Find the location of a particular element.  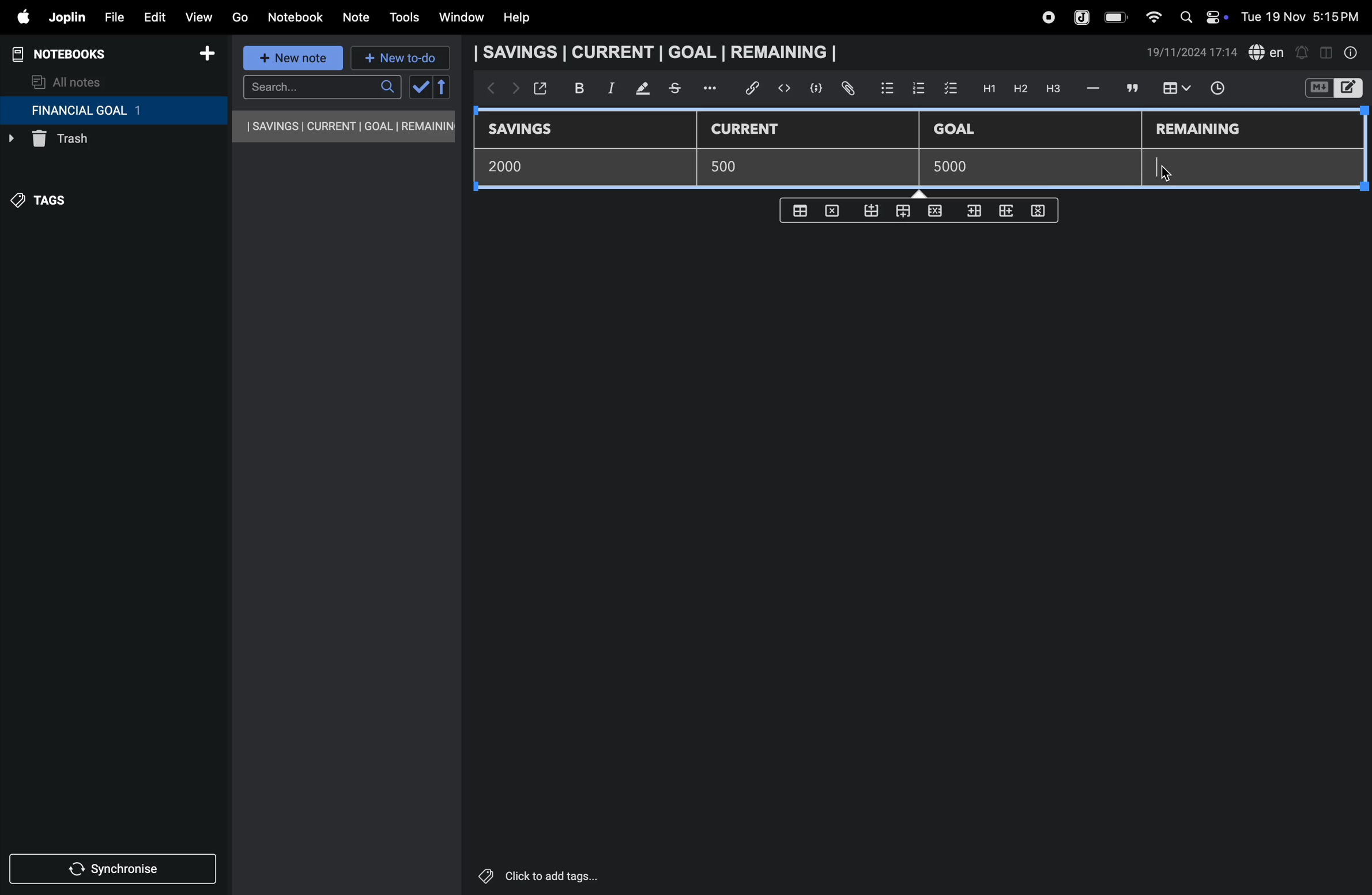

new to-do is located at coordinates (401, 59).